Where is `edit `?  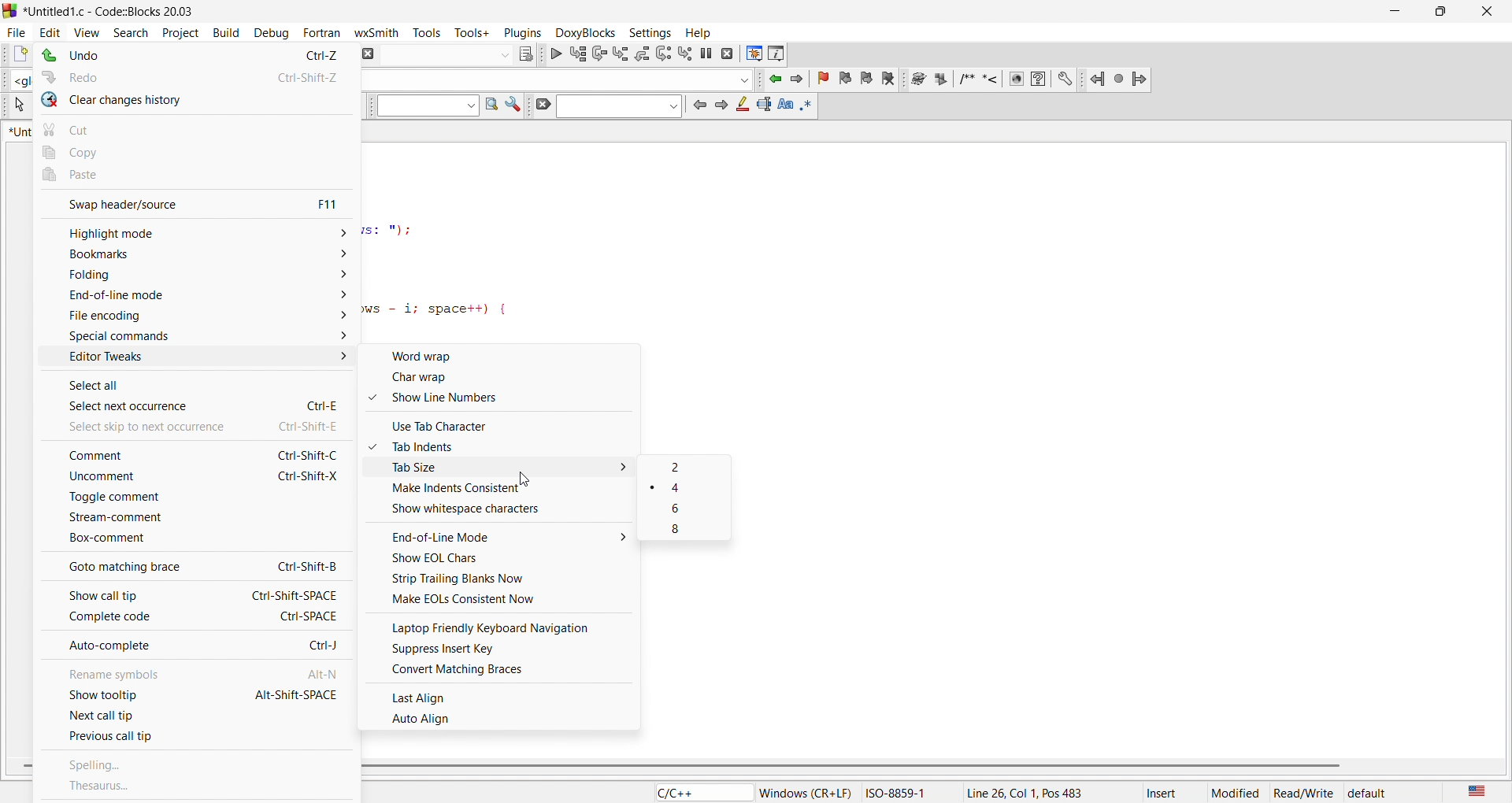 edit  is located at coordinates (54, 28).